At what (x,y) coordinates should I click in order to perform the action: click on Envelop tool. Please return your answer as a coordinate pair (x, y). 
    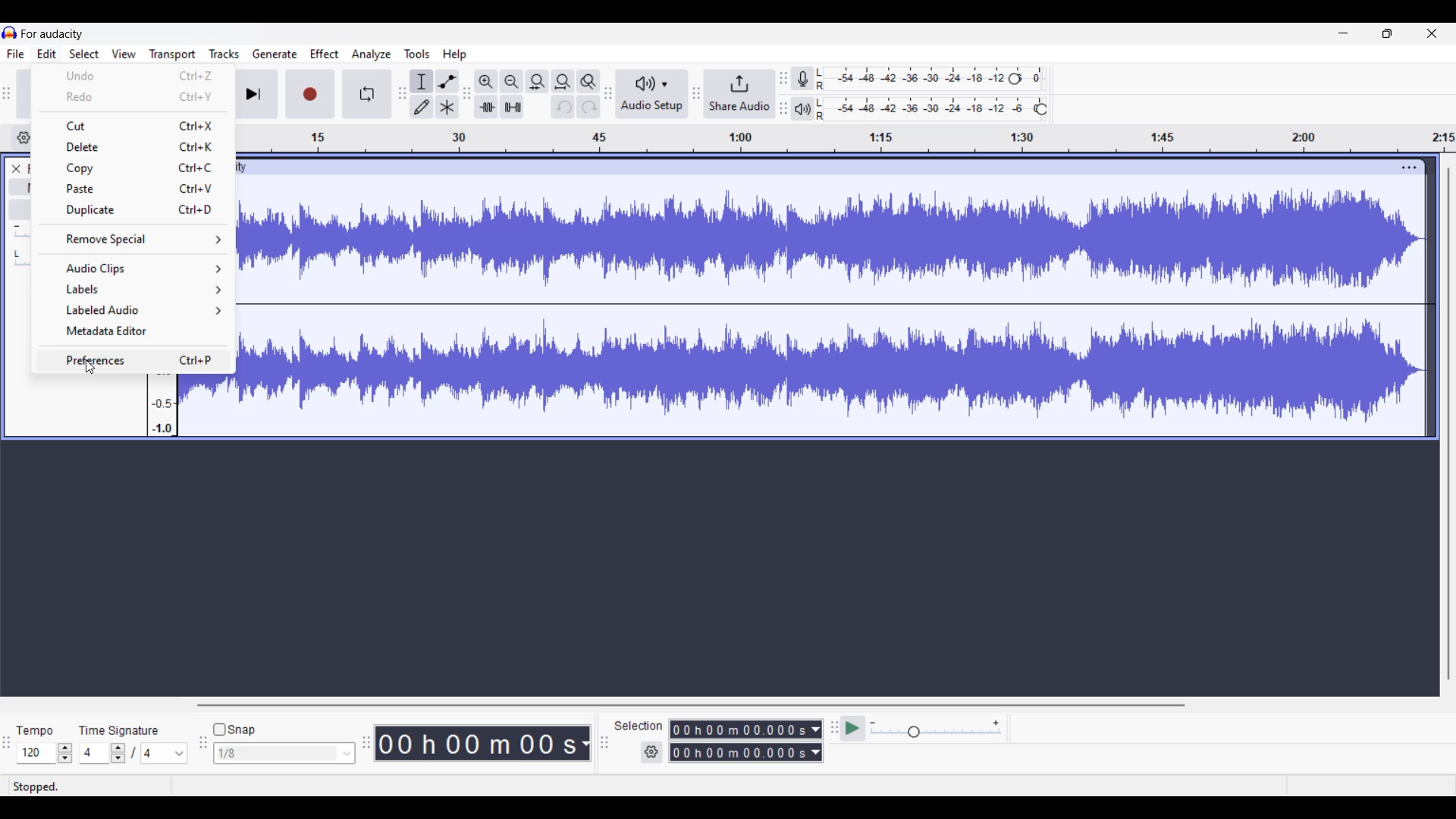
    Looking at the image, I should click on (448, 81).